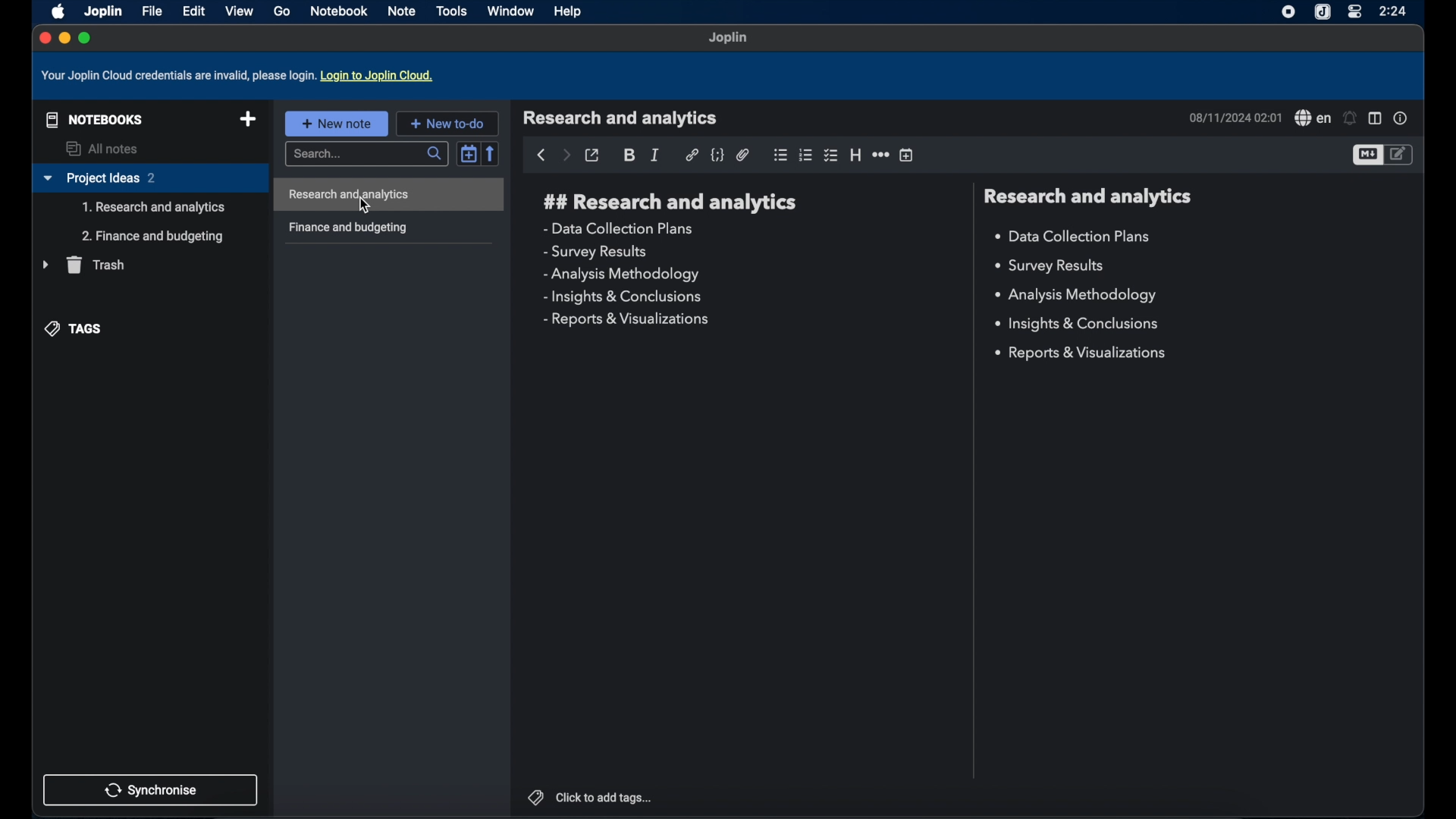  What do you see at coordinates (102, 11) in the screenshot?
I see `Joplin` at bounding box center [102, 11].